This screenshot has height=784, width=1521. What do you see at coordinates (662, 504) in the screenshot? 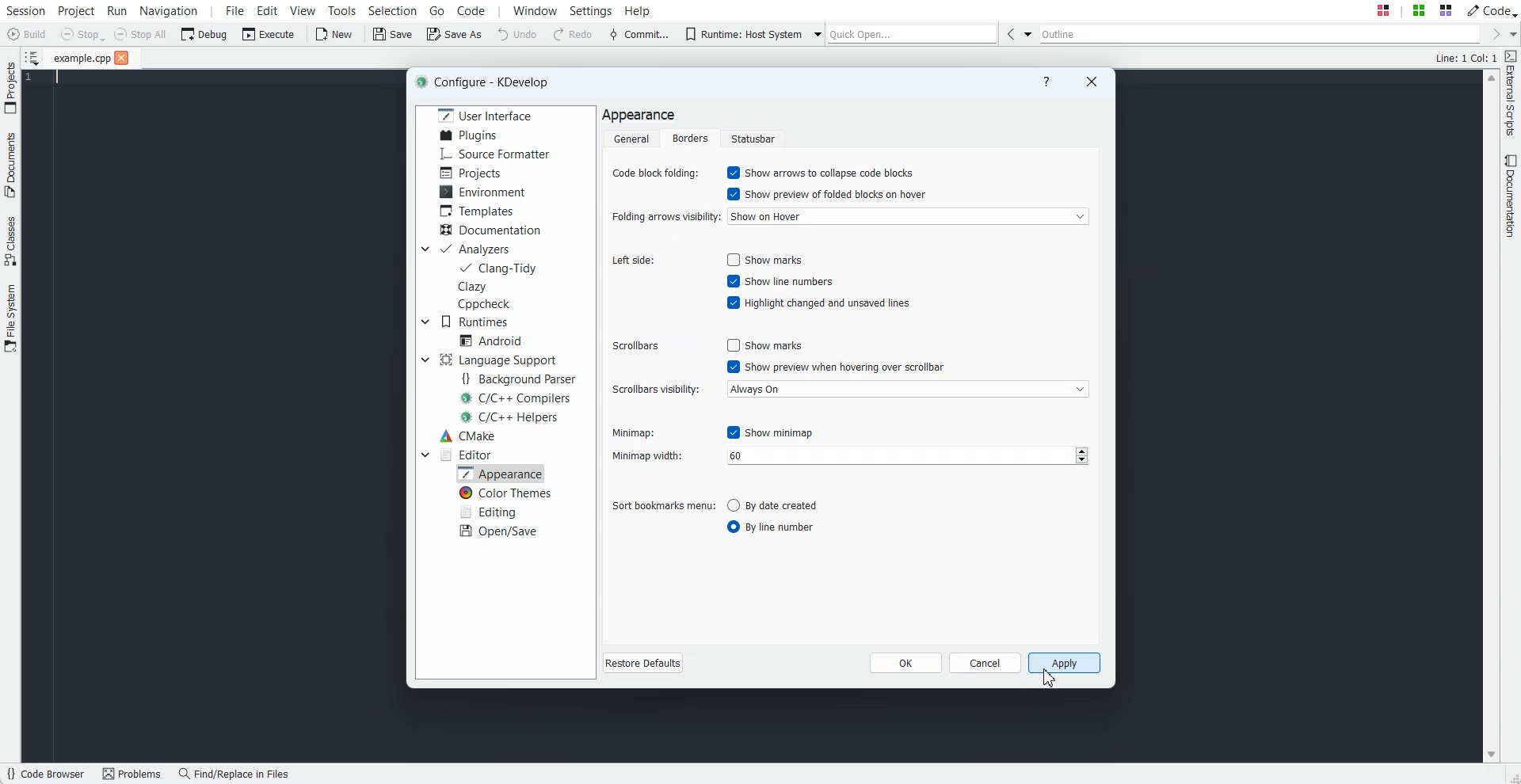
I see `Sort bookmarks menu` at bounding box center [662, 504].